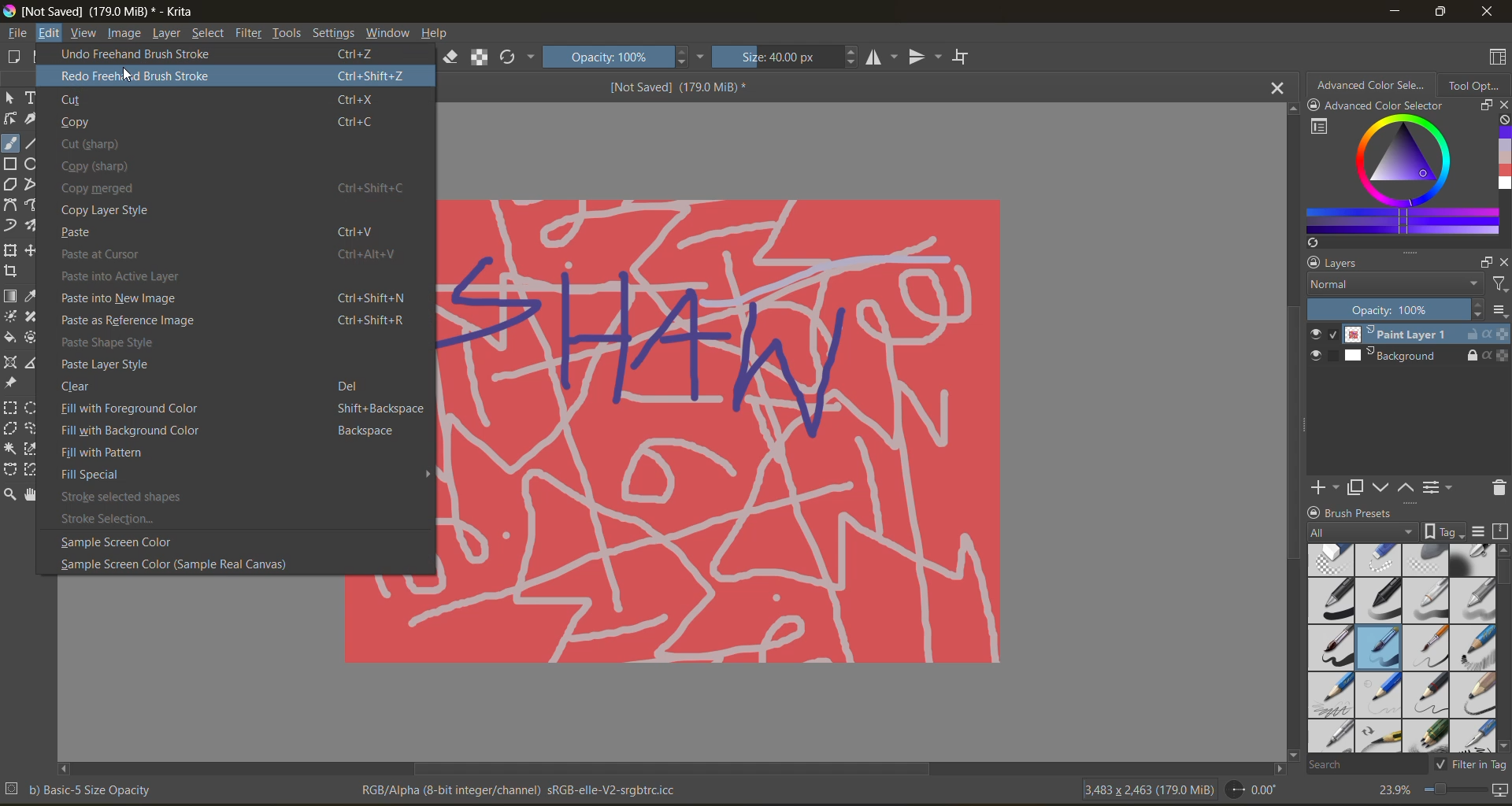 Image resolution: width=1512 pixels, height=806 pixels. Describe the element at coordinates (33, 165) in the screenshot. I see `ellipse tool` at that location.